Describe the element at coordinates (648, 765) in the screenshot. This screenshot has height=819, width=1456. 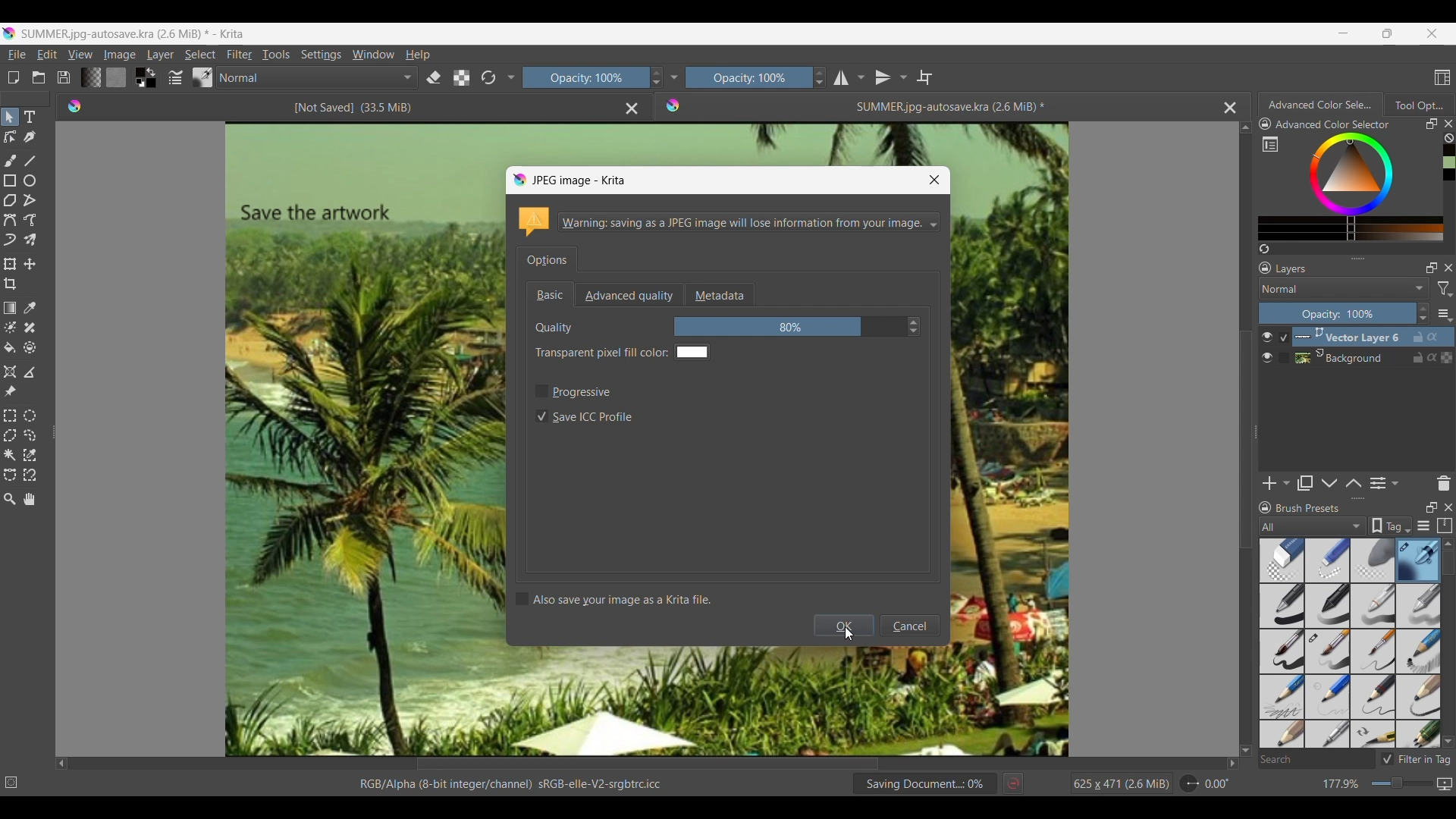
I see `Horizontal slide bar` at that location.